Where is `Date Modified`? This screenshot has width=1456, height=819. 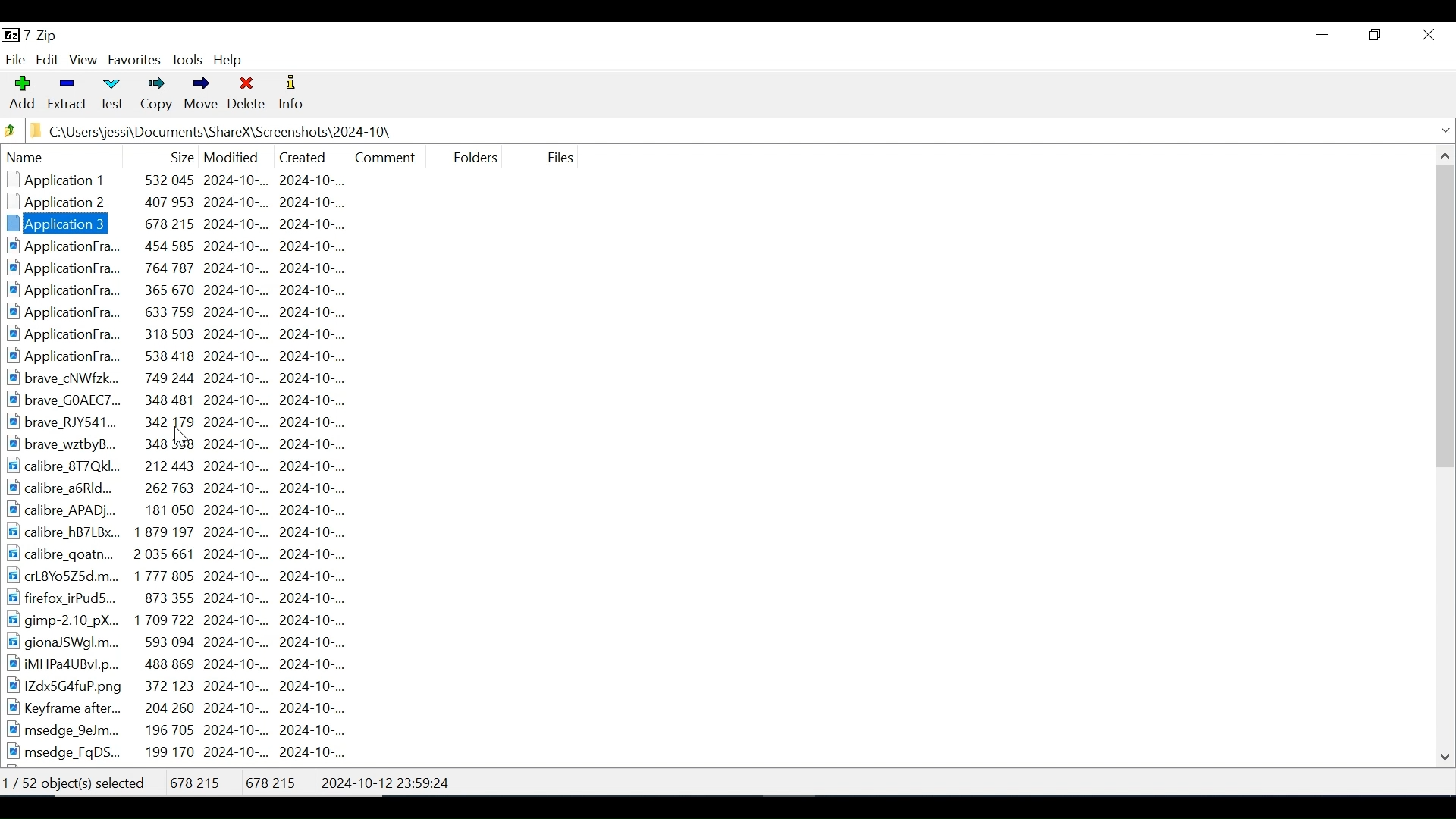
Date Modified is located at coordinates (231, 155).